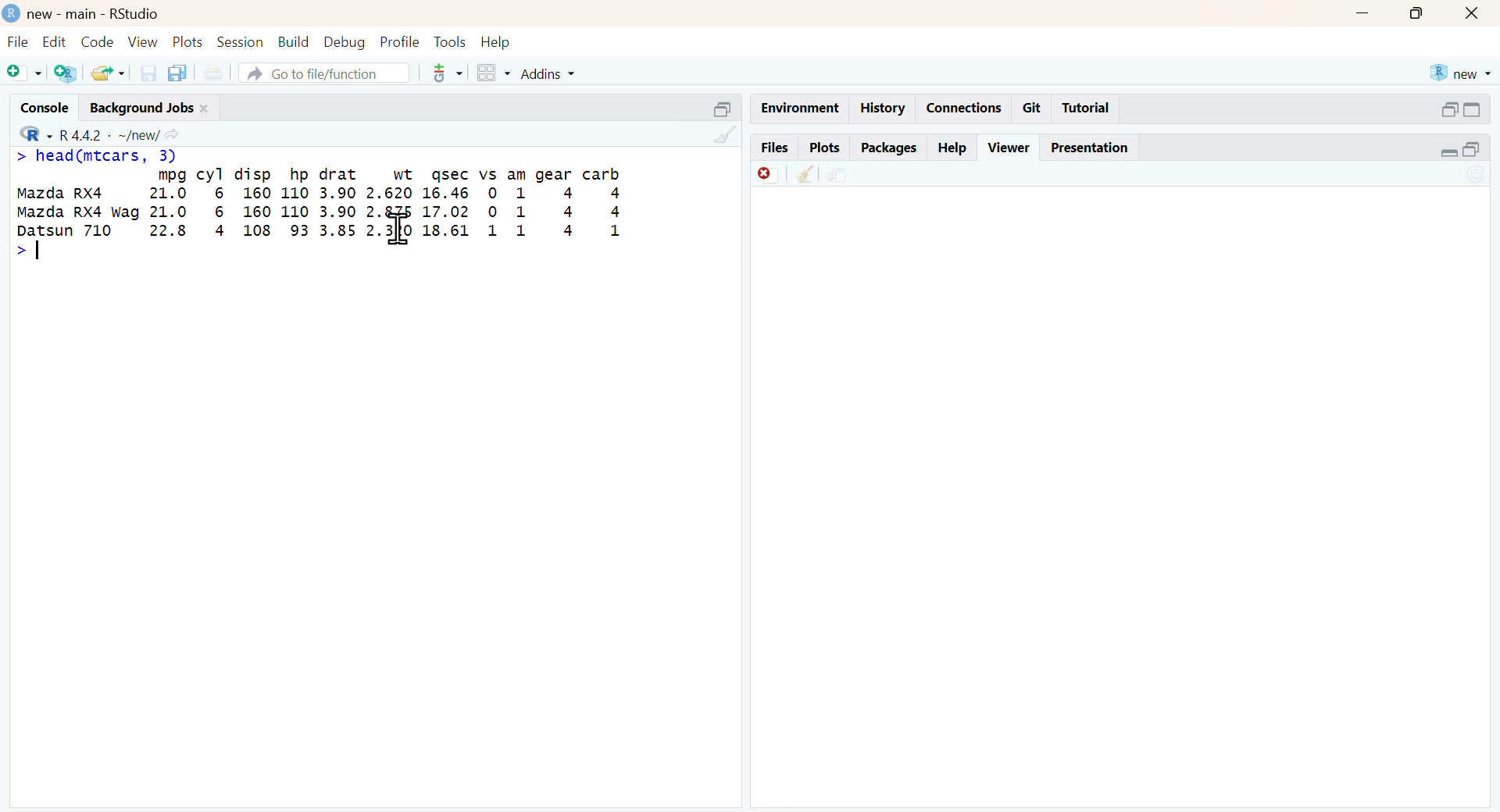 The image size is (1500, 812). What do you see at coordinates (716, 136) in the screenshot?
I see `clear console` at bounding box center [716, 136].